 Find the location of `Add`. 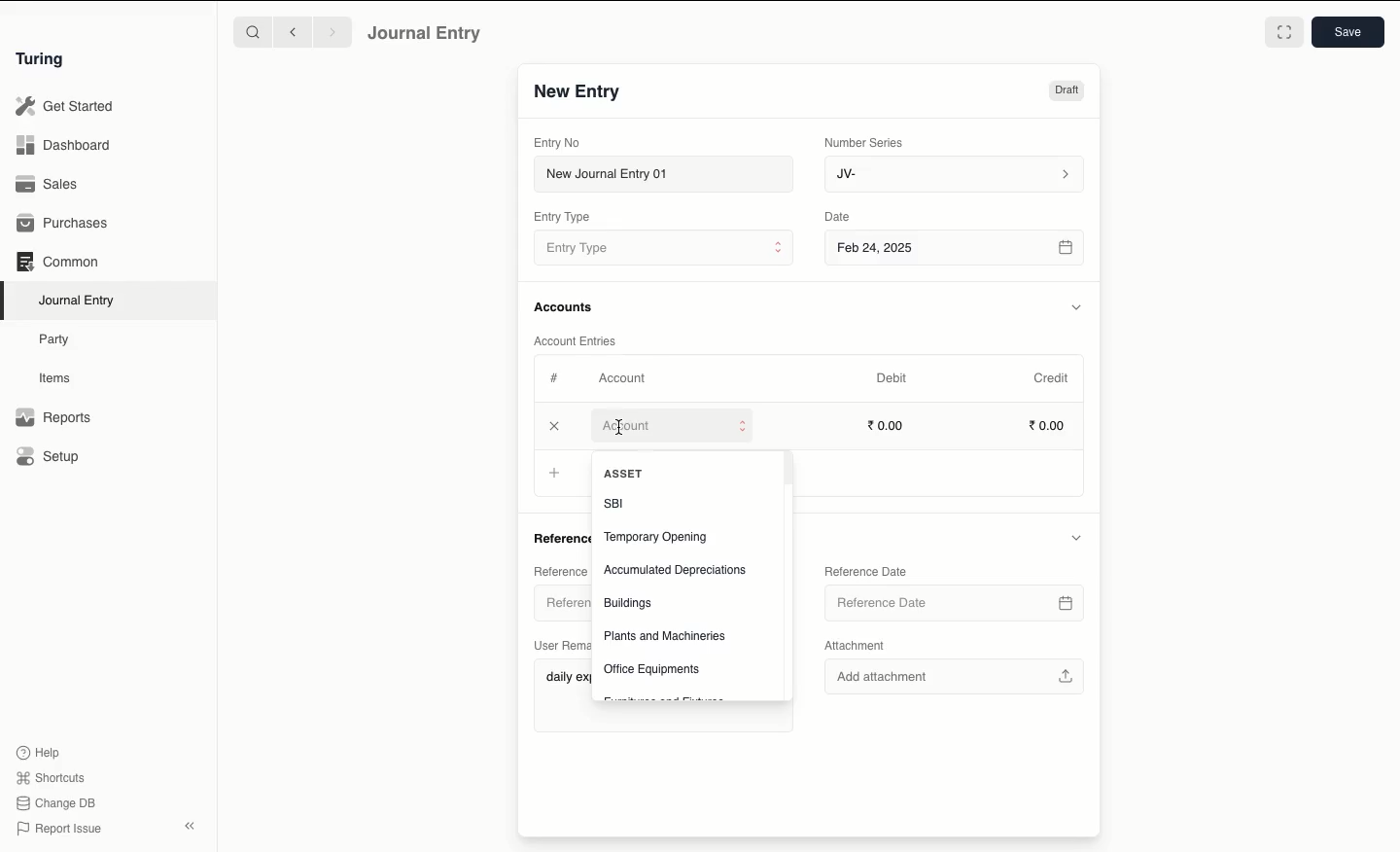

Add is located at coordinates (555, 426).